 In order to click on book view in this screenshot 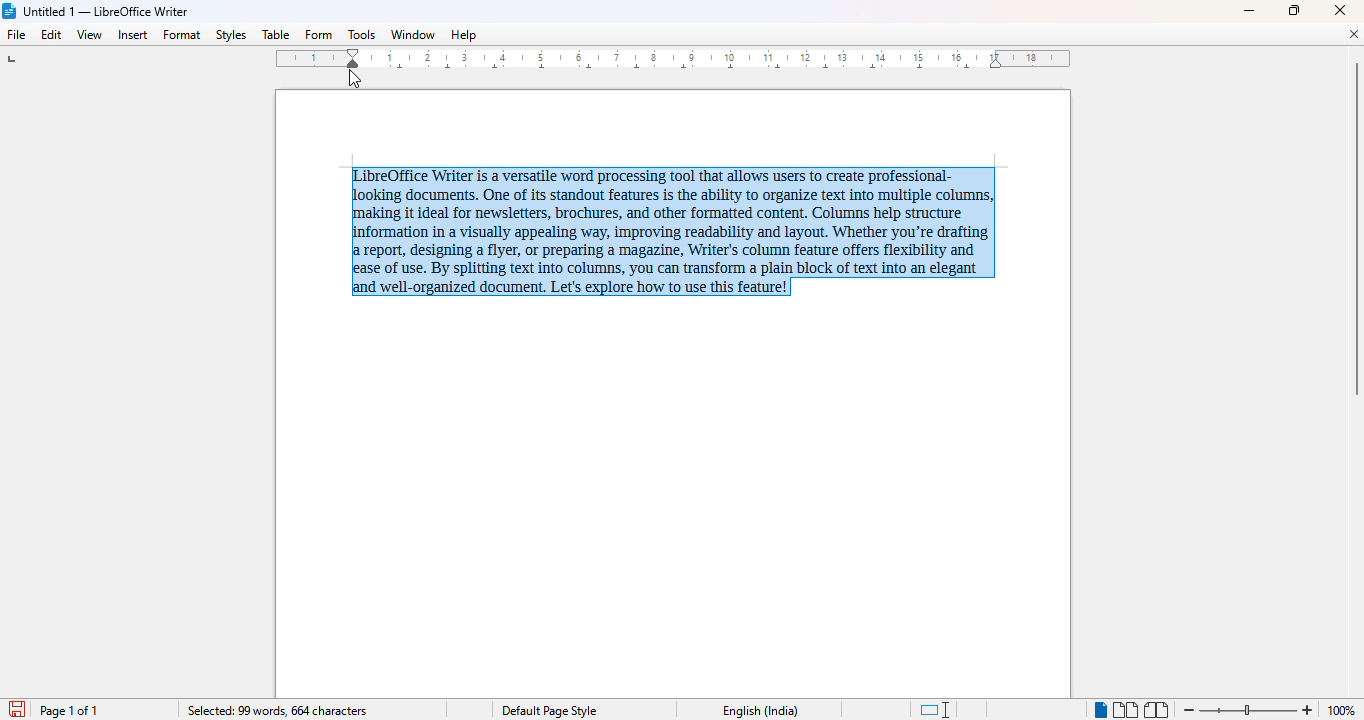, I will do `click(1156, 710)`.